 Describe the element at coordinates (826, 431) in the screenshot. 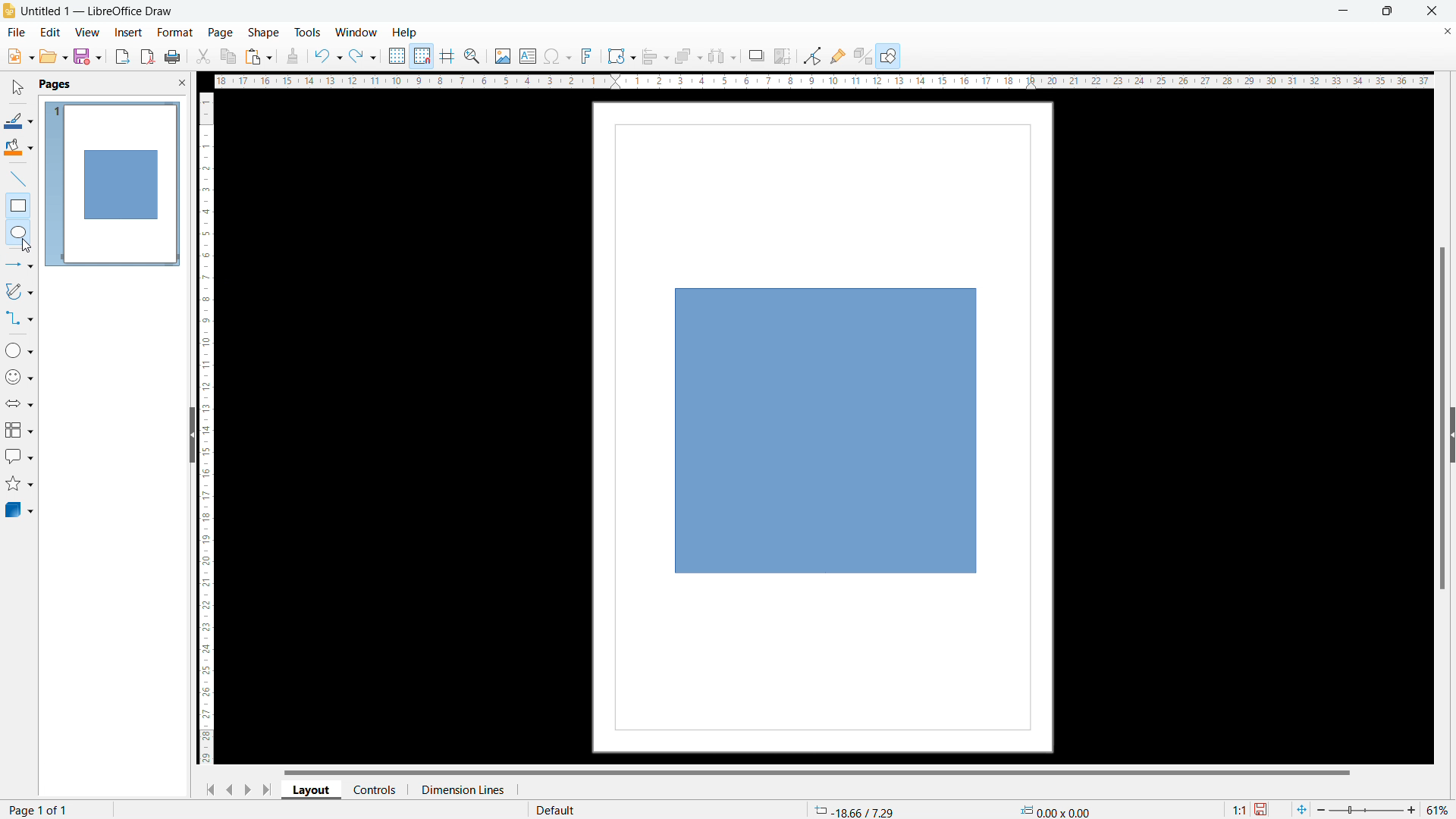

I see `object 1` at that location.